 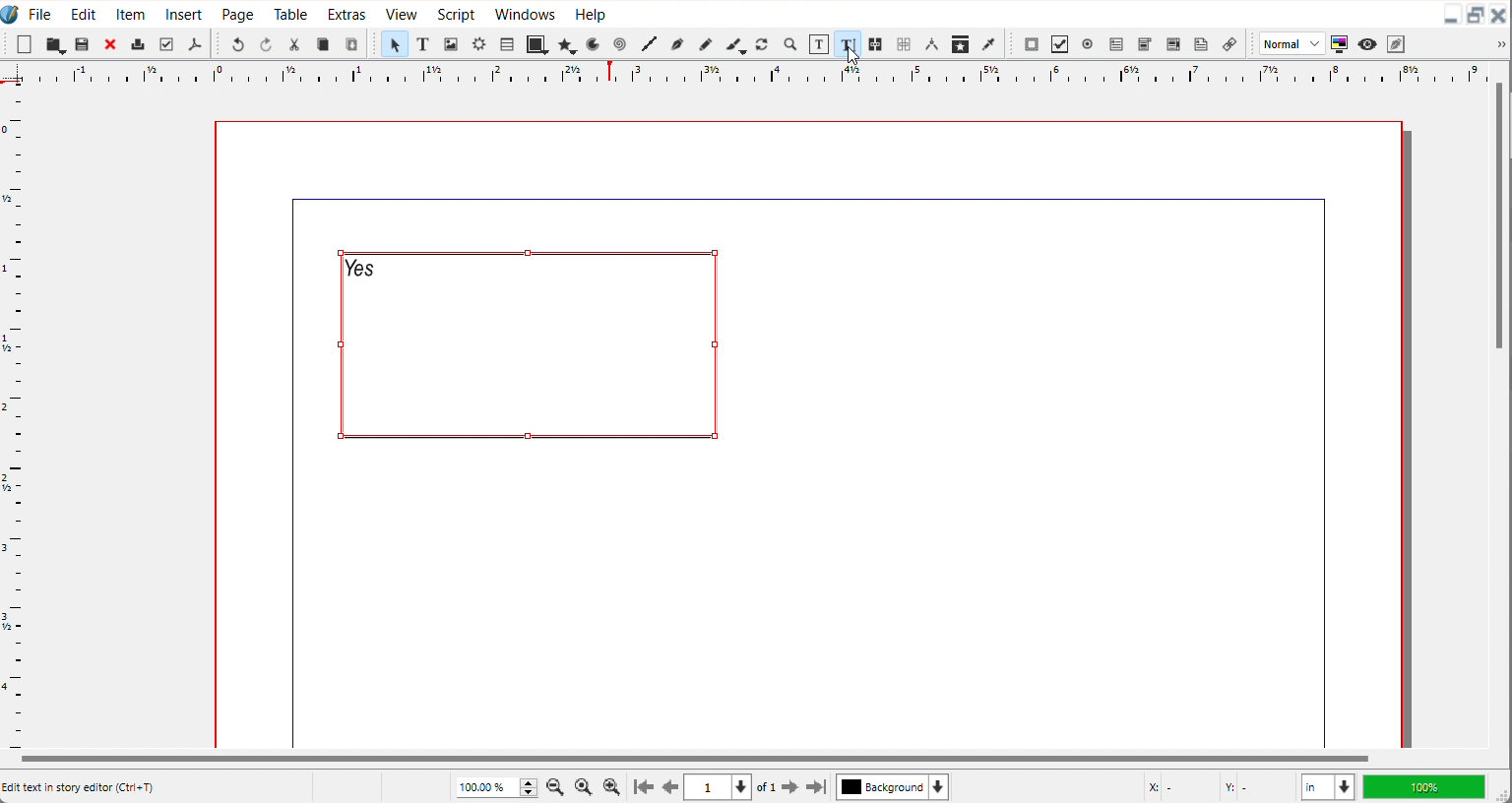 I want to click on Edit content with frame, so click(x=819, y=44).